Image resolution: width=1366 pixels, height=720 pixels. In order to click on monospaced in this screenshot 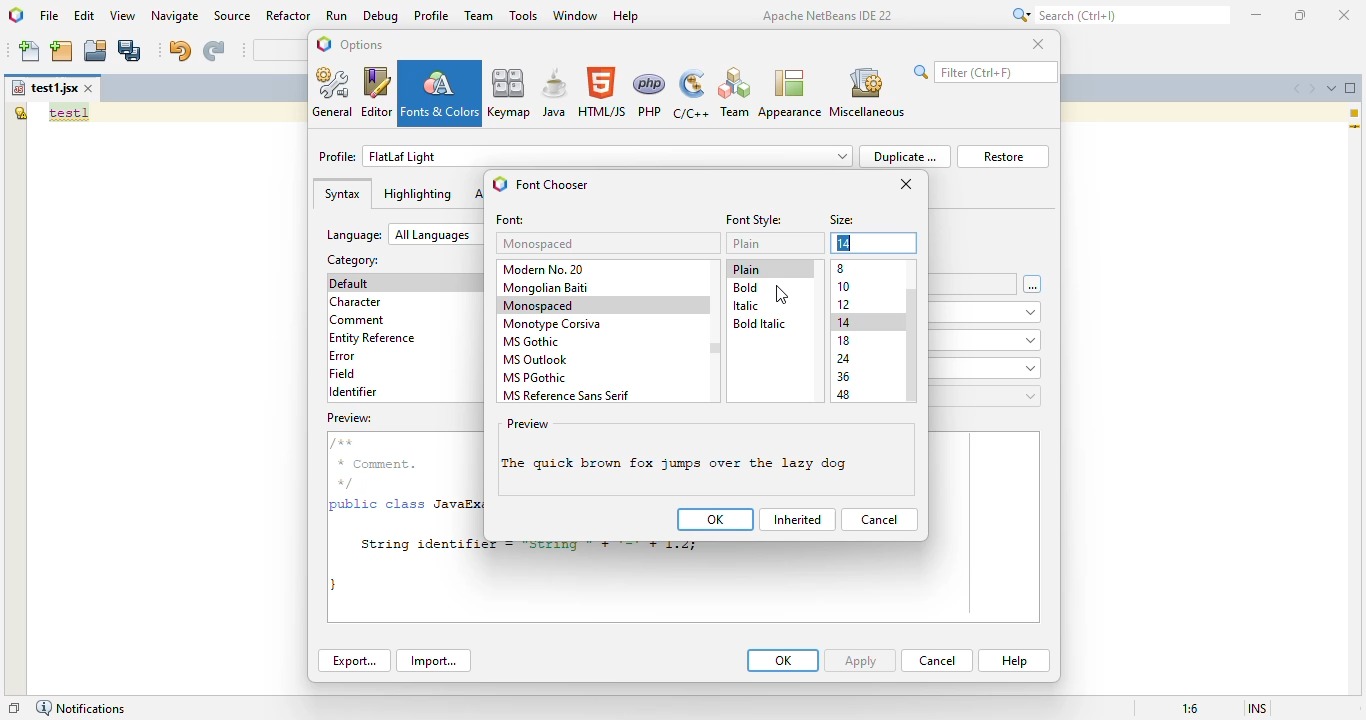, I will do `click(539, 305)`.